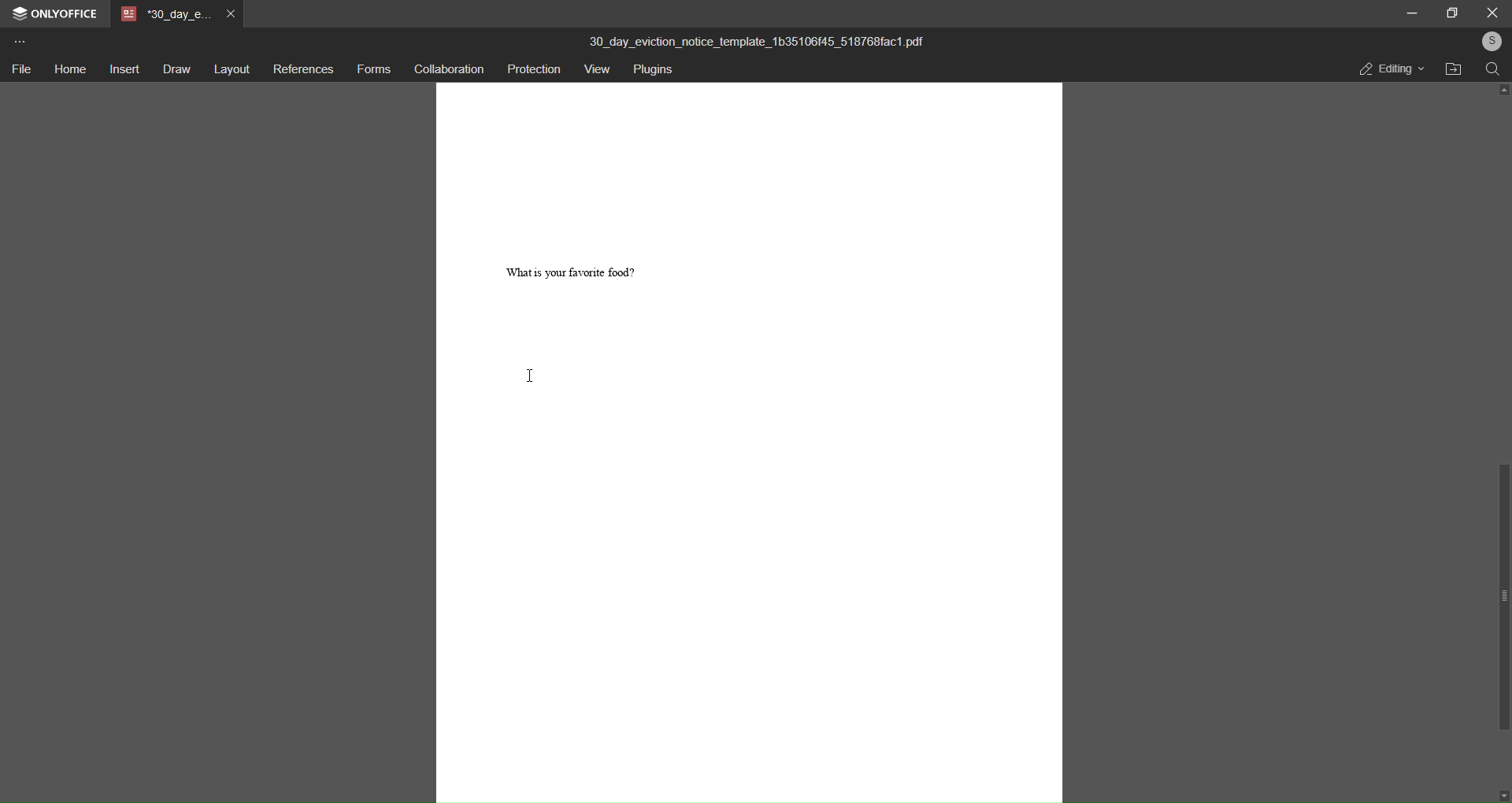 The image size is (1512, 803). I want to click on forms, so click(372, 71).